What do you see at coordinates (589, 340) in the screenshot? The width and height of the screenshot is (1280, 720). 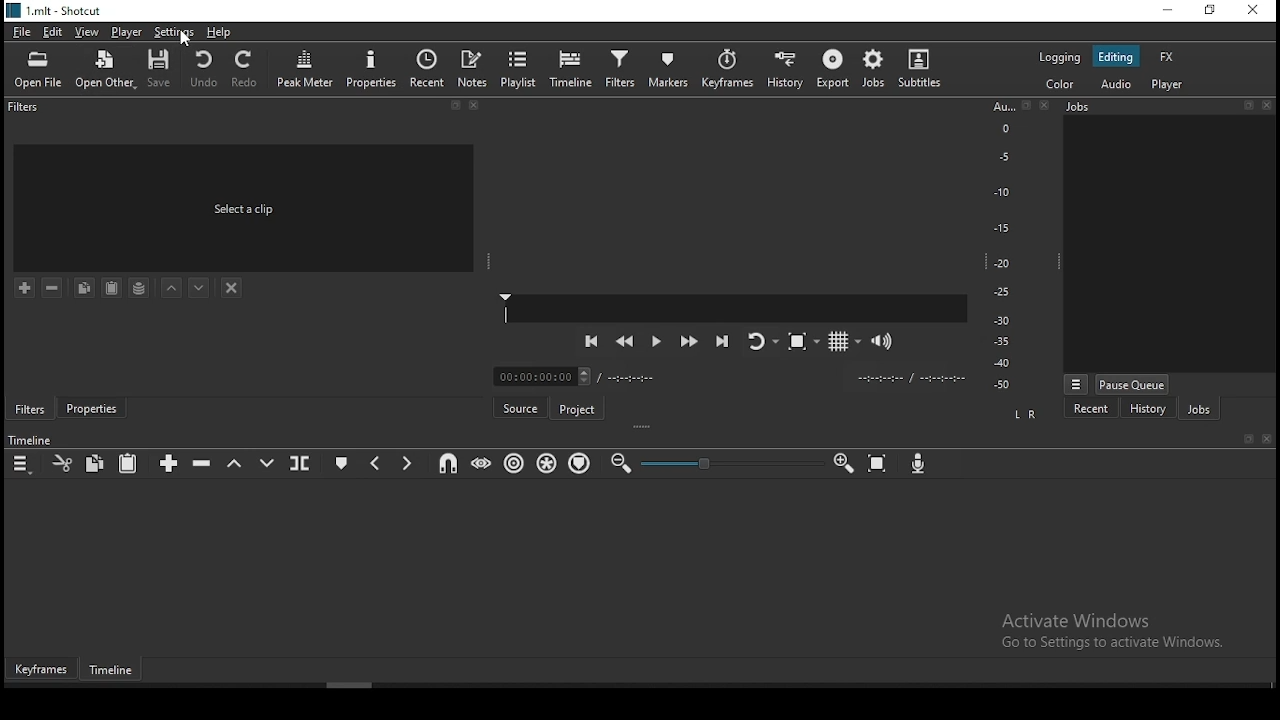 I see `skip to previous point` at bounding box center [589, 340].